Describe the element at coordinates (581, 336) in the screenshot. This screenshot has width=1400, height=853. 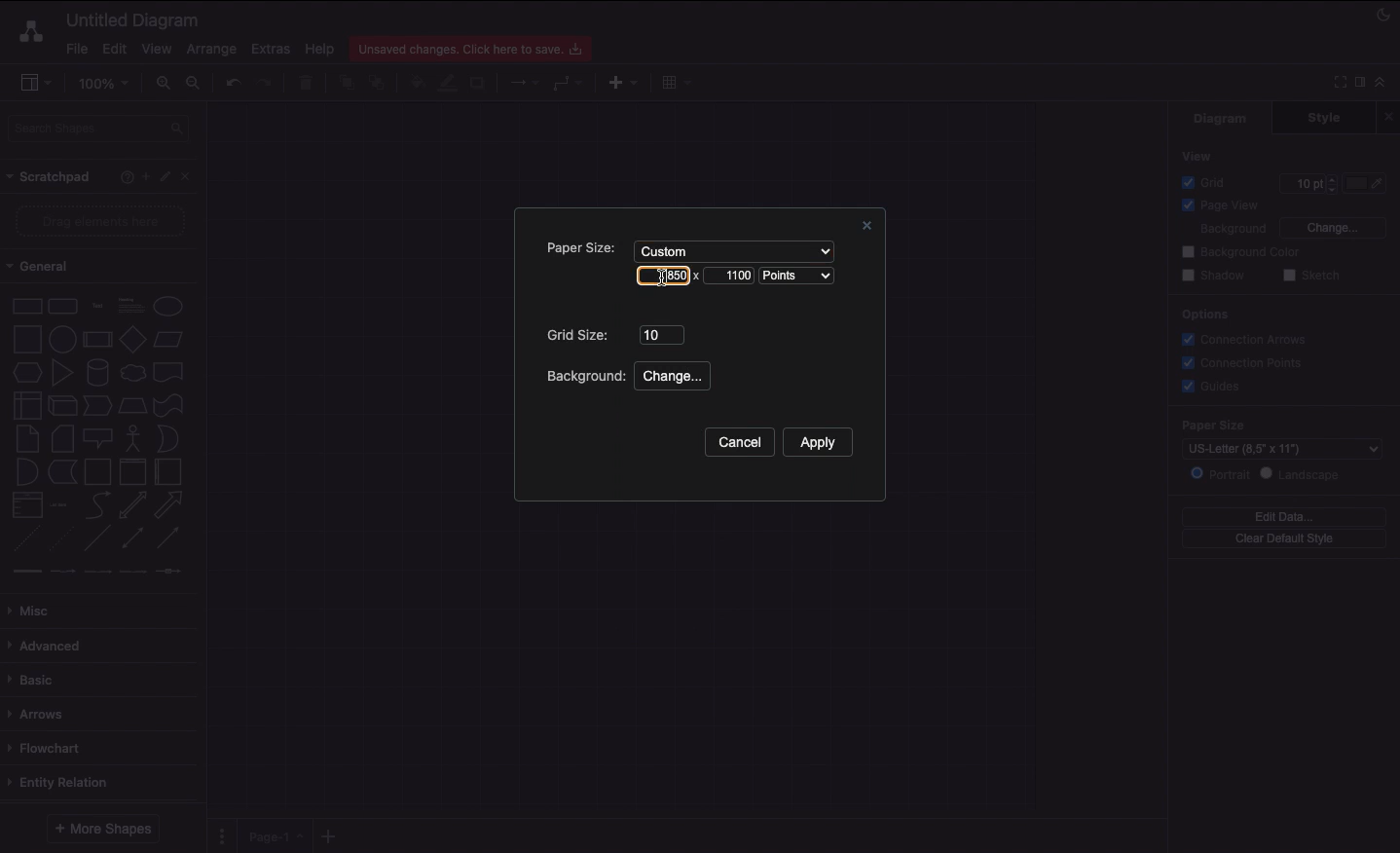
I see `Grid size` at that location.